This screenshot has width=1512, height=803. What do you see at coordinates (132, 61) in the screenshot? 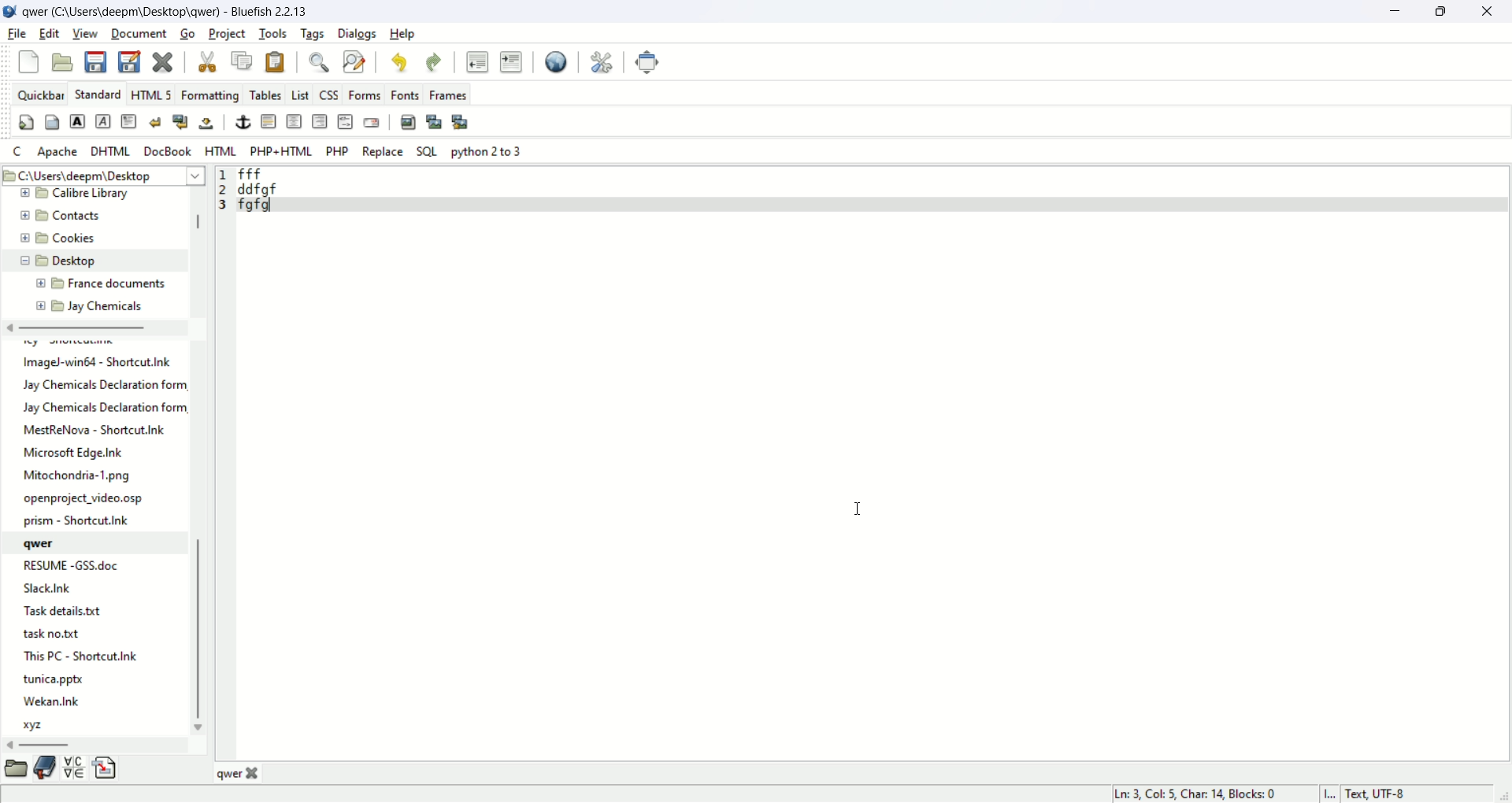
I see `save as` at bounding box center [132, 61].